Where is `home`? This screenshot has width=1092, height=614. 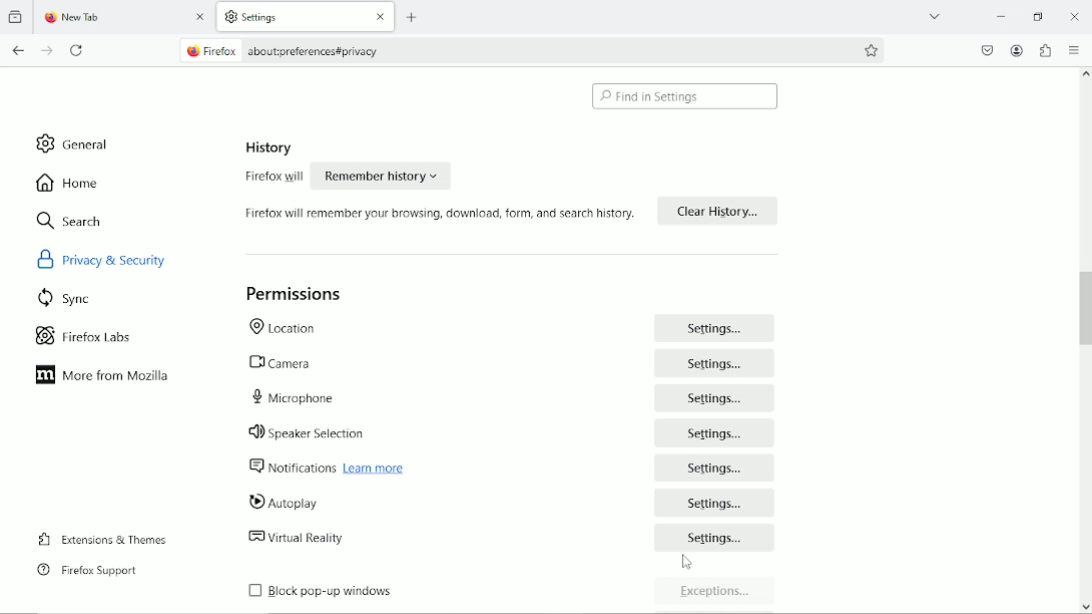 home is located at coordinates (69, 182).